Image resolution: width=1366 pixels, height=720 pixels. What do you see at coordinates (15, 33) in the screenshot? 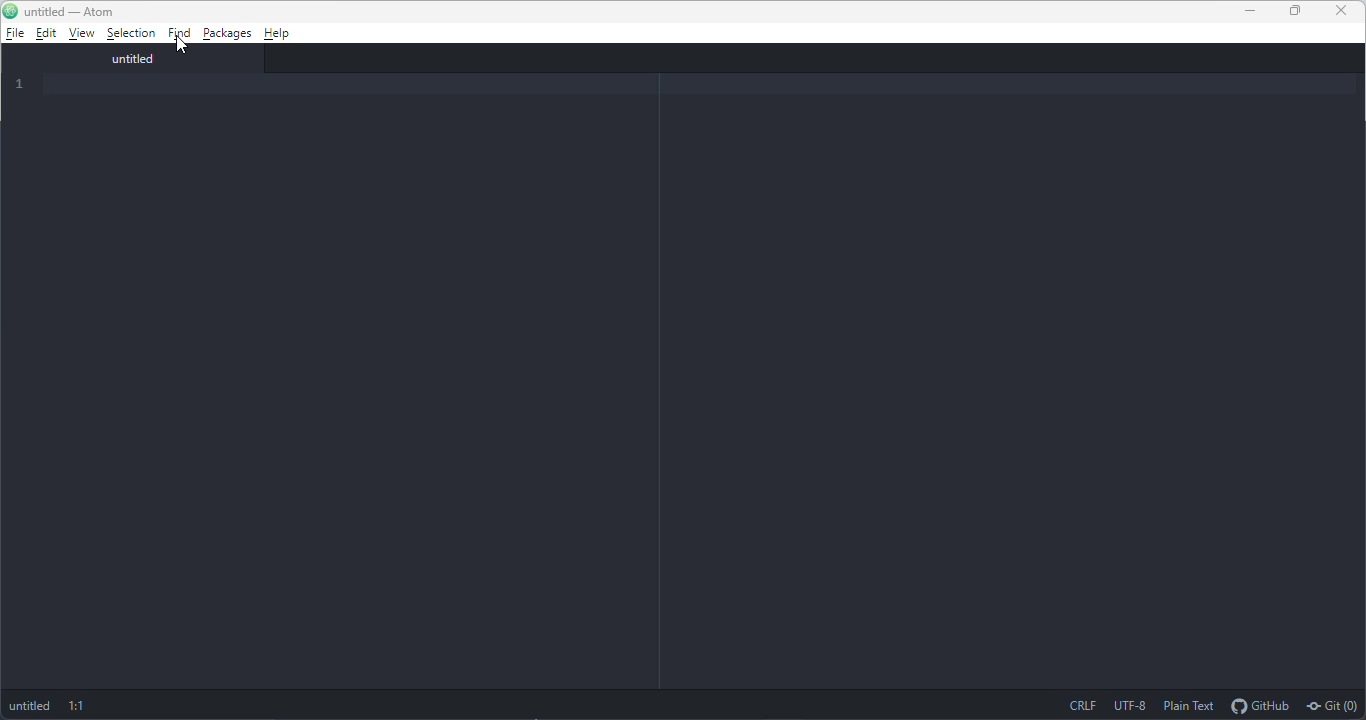
I see `file` at bounding box center [15, 33].